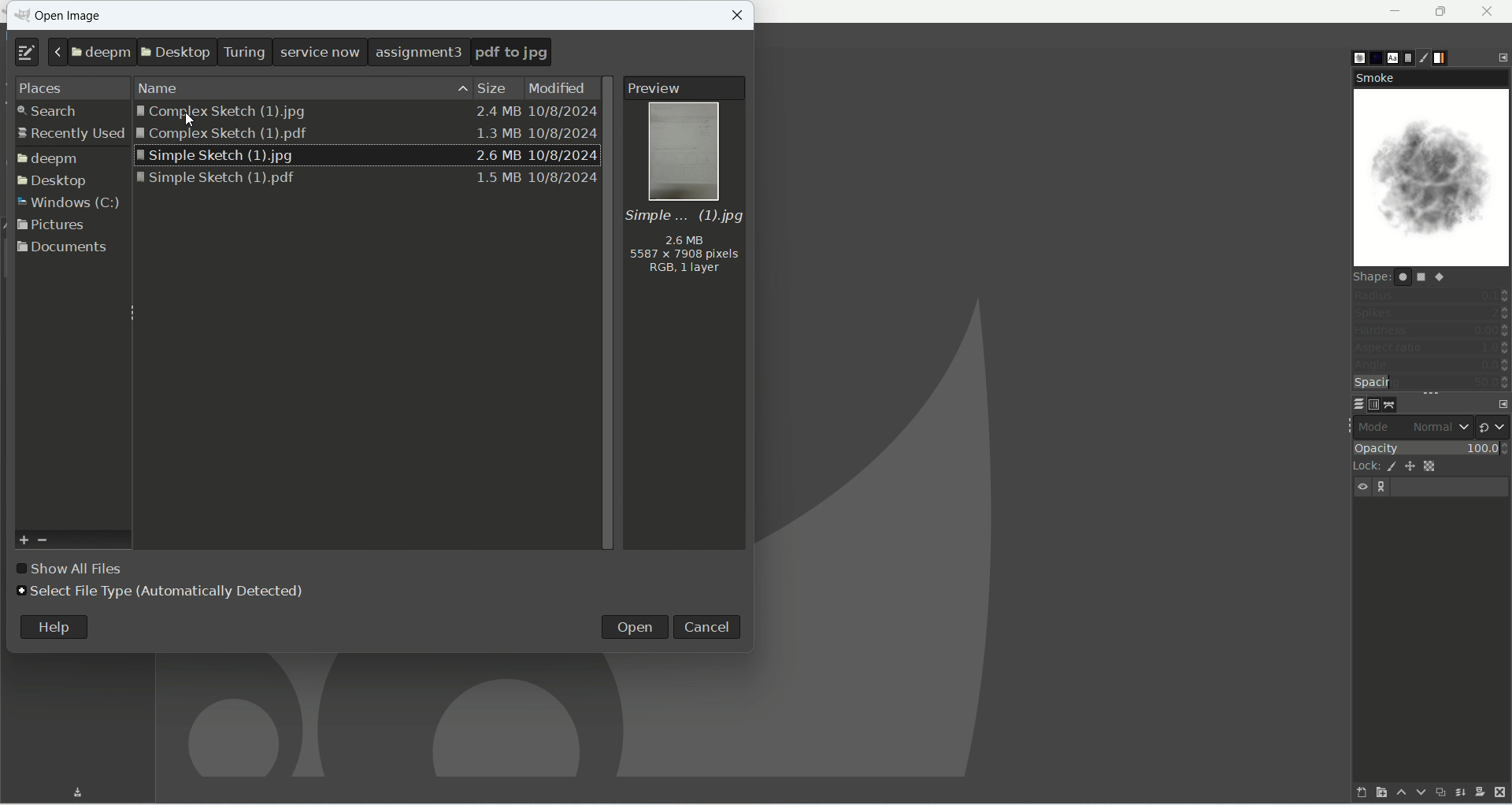  I want to click on remove, so click(46, 541).